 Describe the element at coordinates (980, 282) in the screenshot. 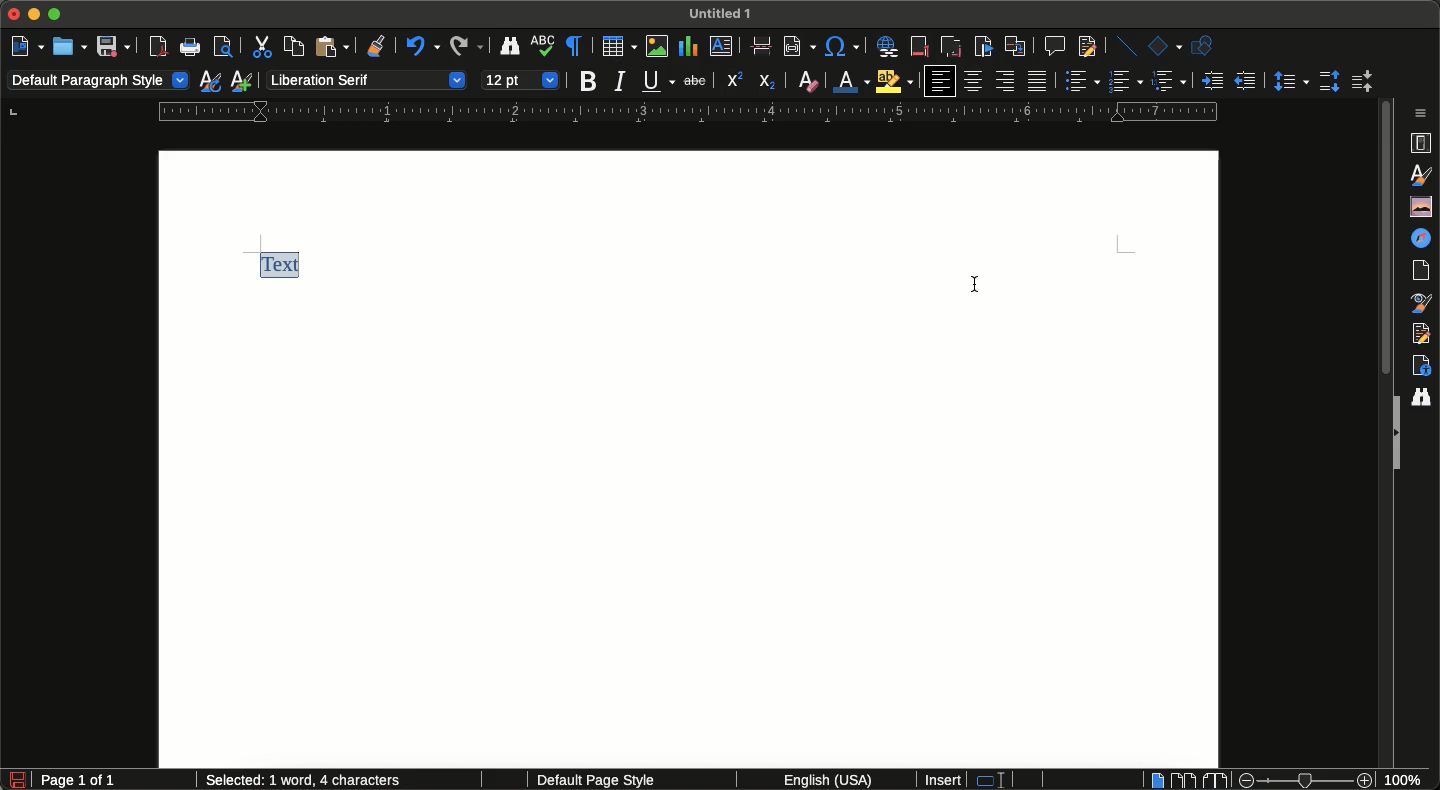

I see `Cursor on page for clicking` at that location.